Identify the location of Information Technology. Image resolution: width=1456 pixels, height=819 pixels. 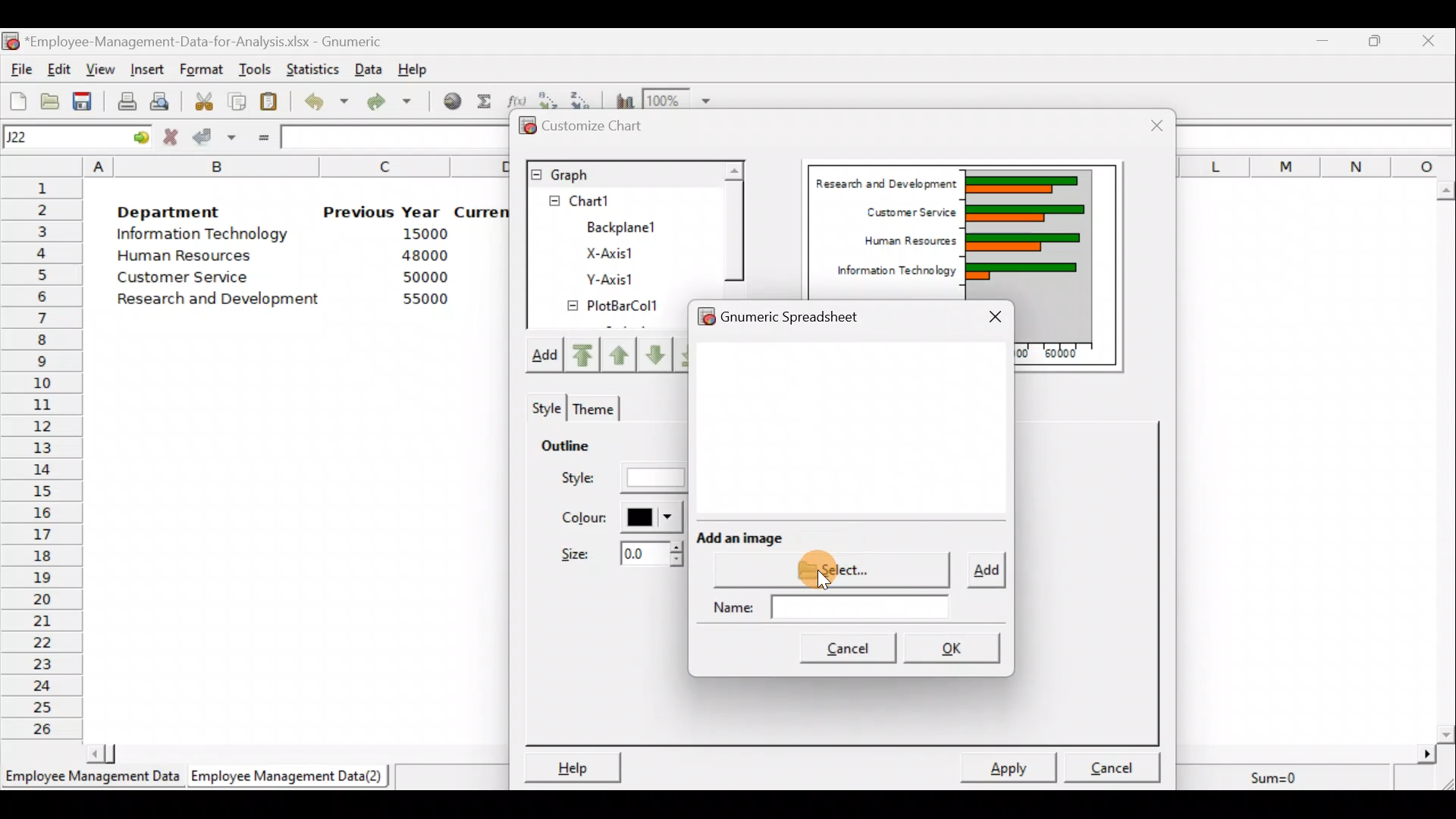
(891, 272).